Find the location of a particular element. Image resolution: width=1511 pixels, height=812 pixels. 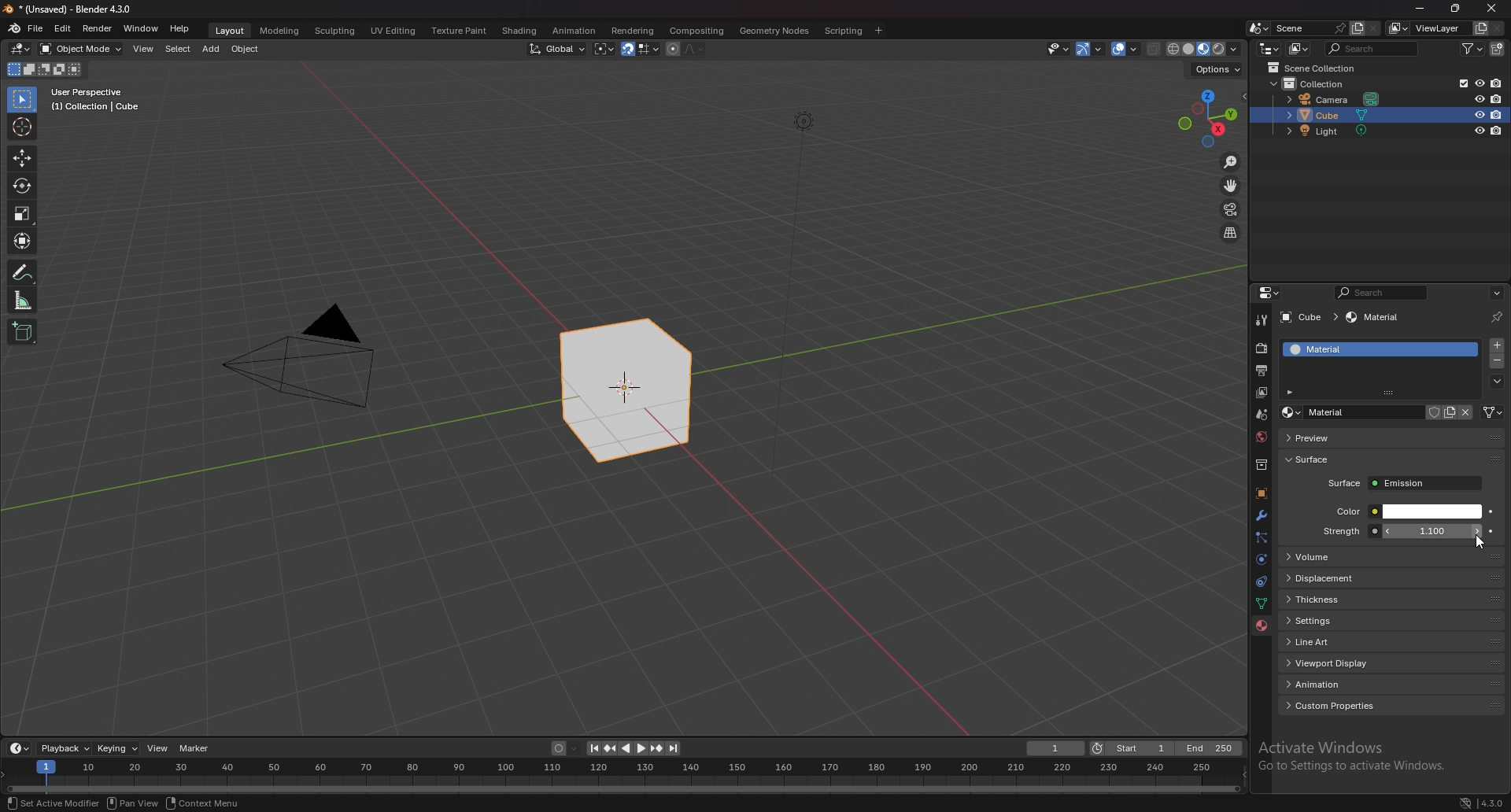

camera is located at coordinates (1336, 100).